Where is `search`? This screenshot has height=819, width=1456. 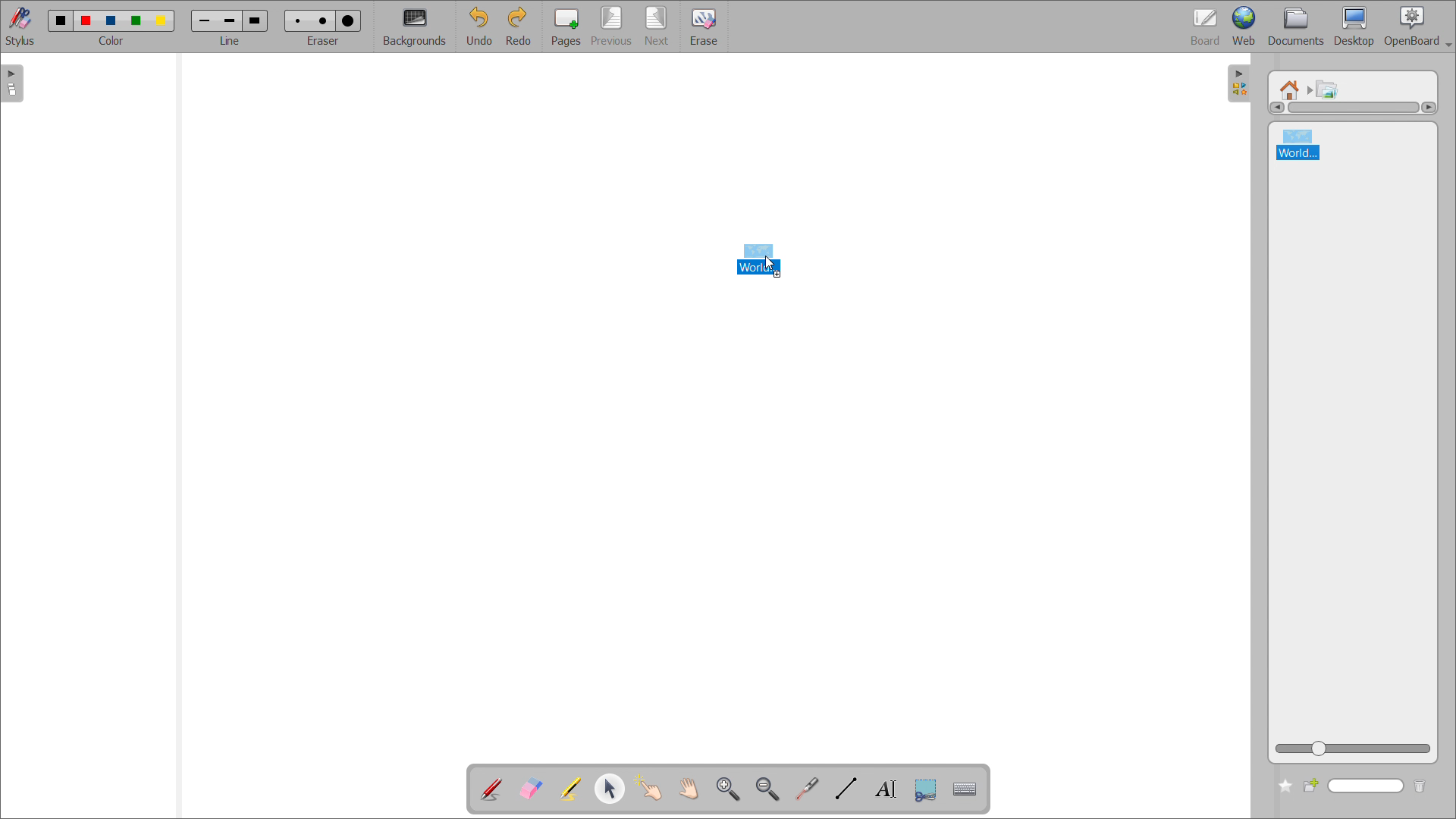
search is located at coordinates (1365, 786).